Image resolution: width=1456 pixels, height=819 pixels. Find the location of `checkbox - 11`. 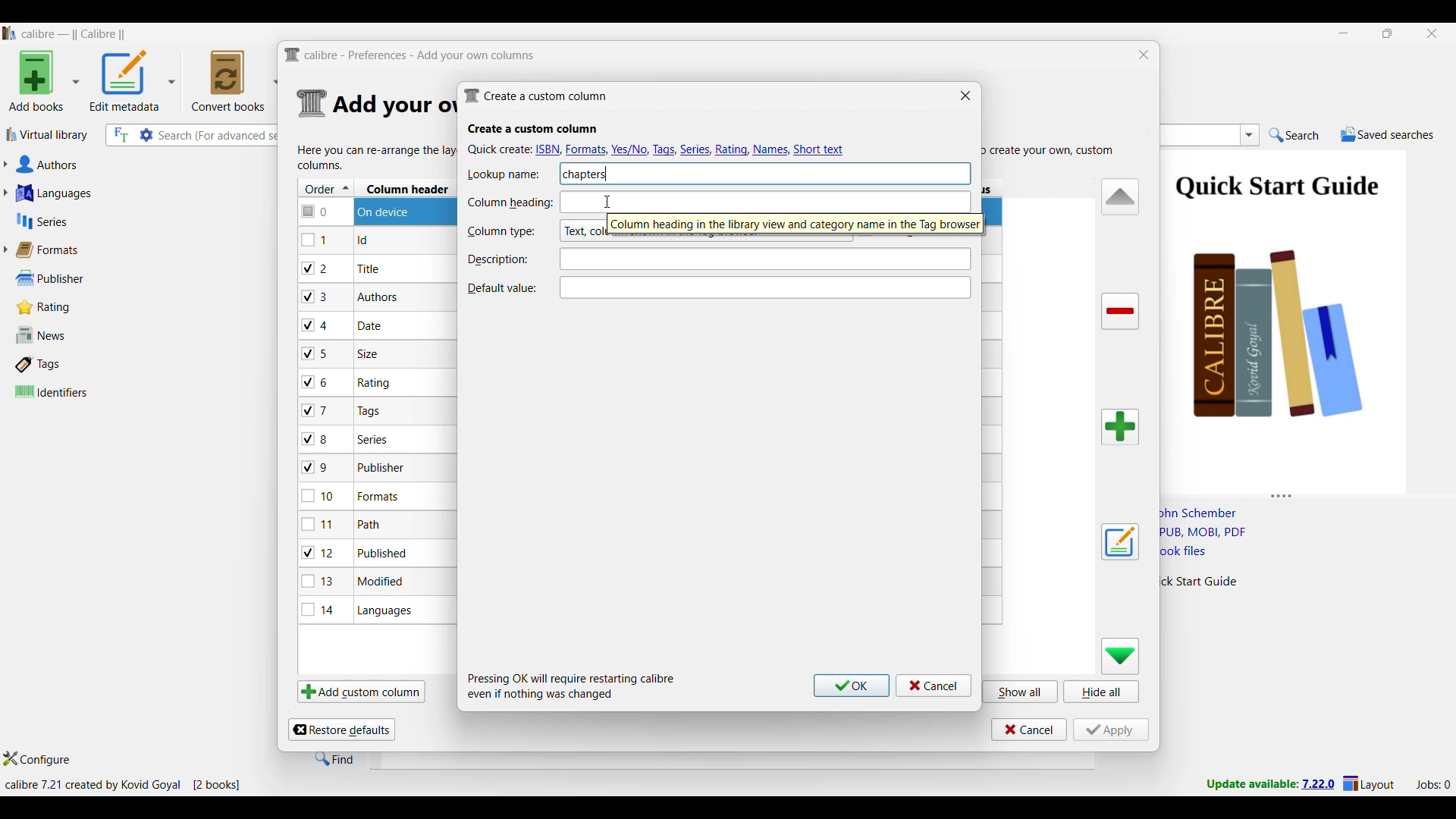

checkbox - 11 is located at coordinates (320, 524).